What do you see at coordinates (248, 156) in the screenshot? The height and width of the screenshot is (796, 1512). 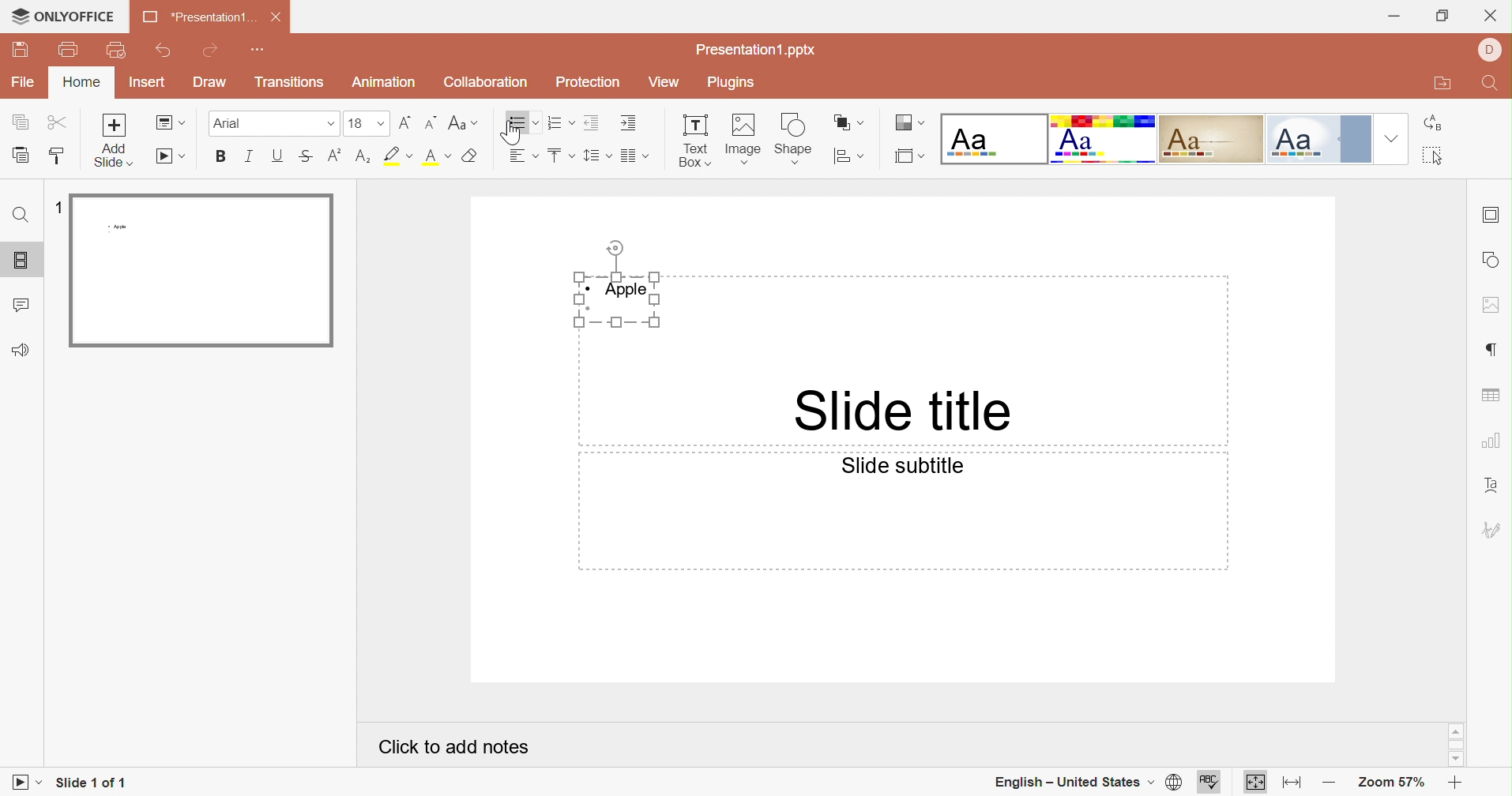 I see `Italic` at bounding box center [248, 156].